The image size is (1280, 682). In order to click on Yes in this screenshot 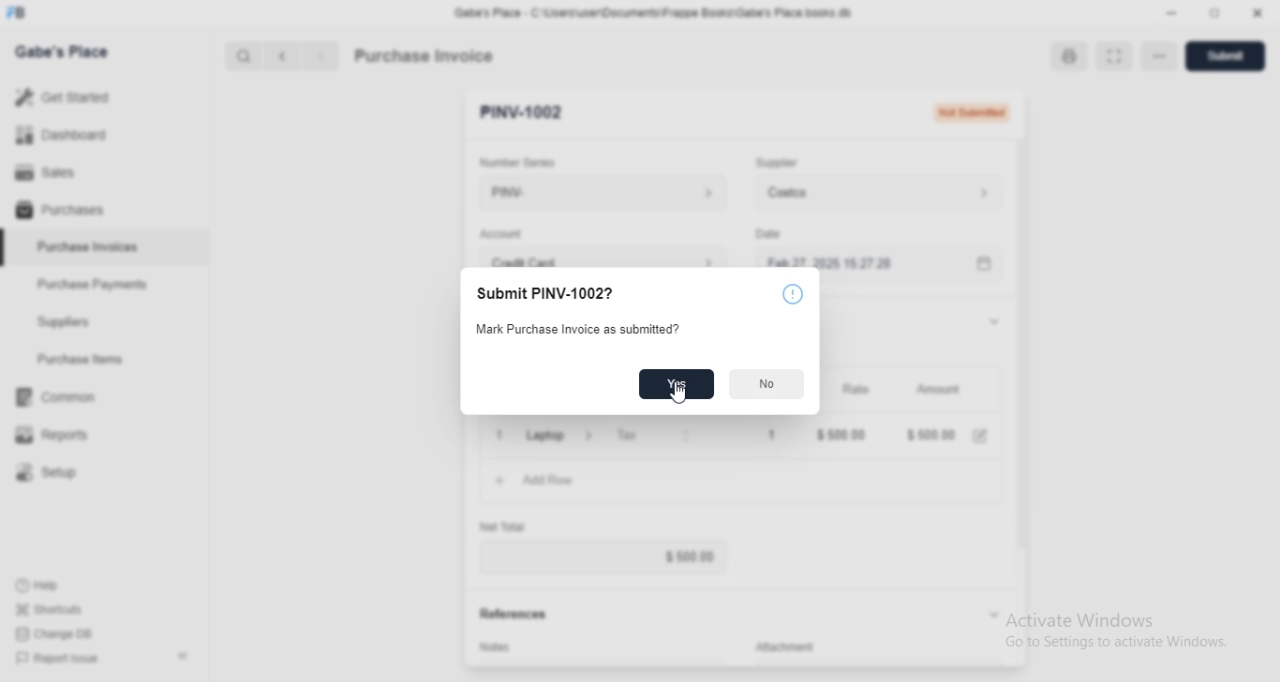, I will do `click(677, 384)`.